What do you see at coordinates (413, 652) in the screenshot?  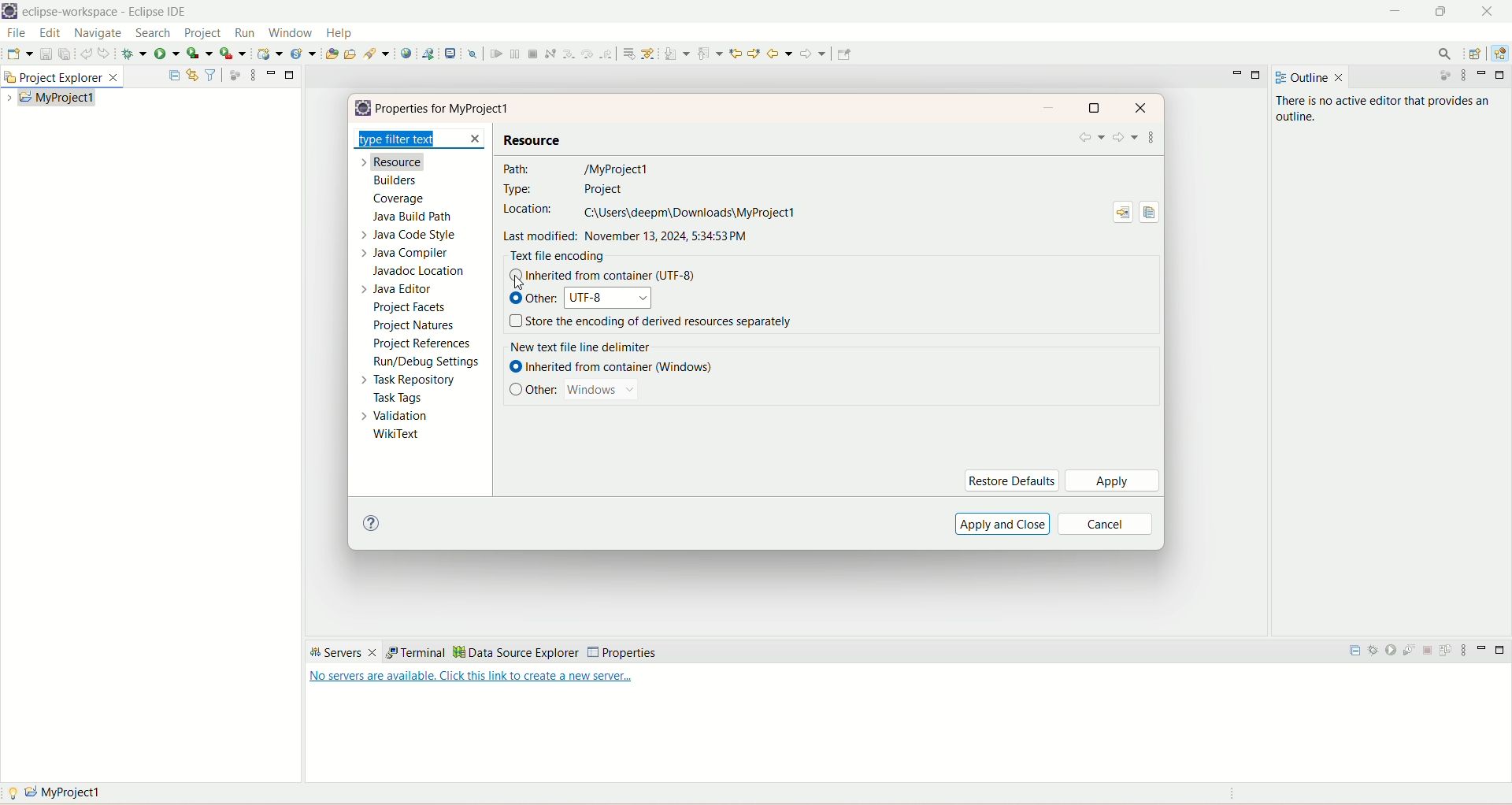 I see `terminal` at bounding box center [413, 652].